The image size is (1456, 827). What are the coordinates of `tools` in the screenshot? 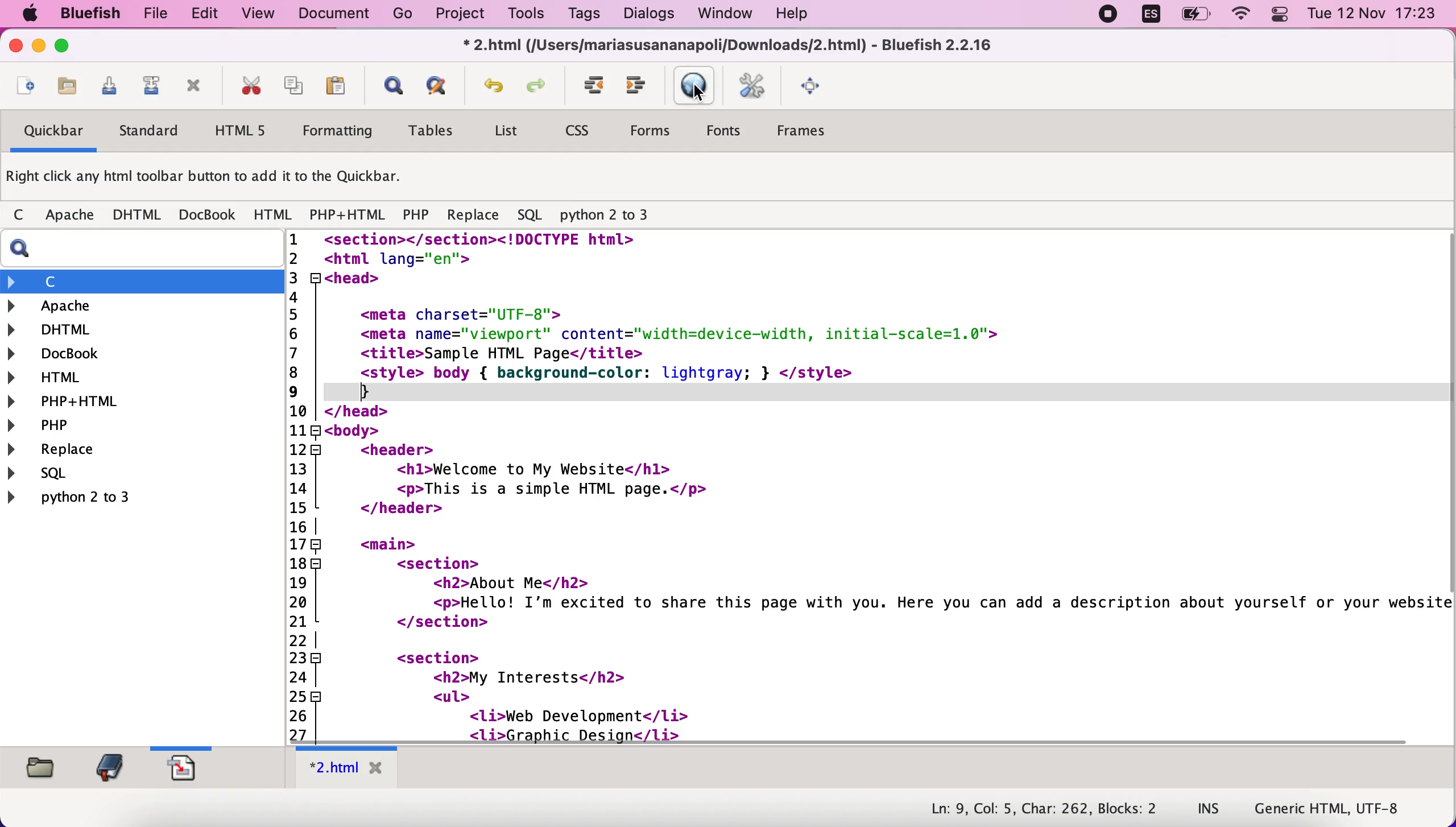 It's located at (529, 16).